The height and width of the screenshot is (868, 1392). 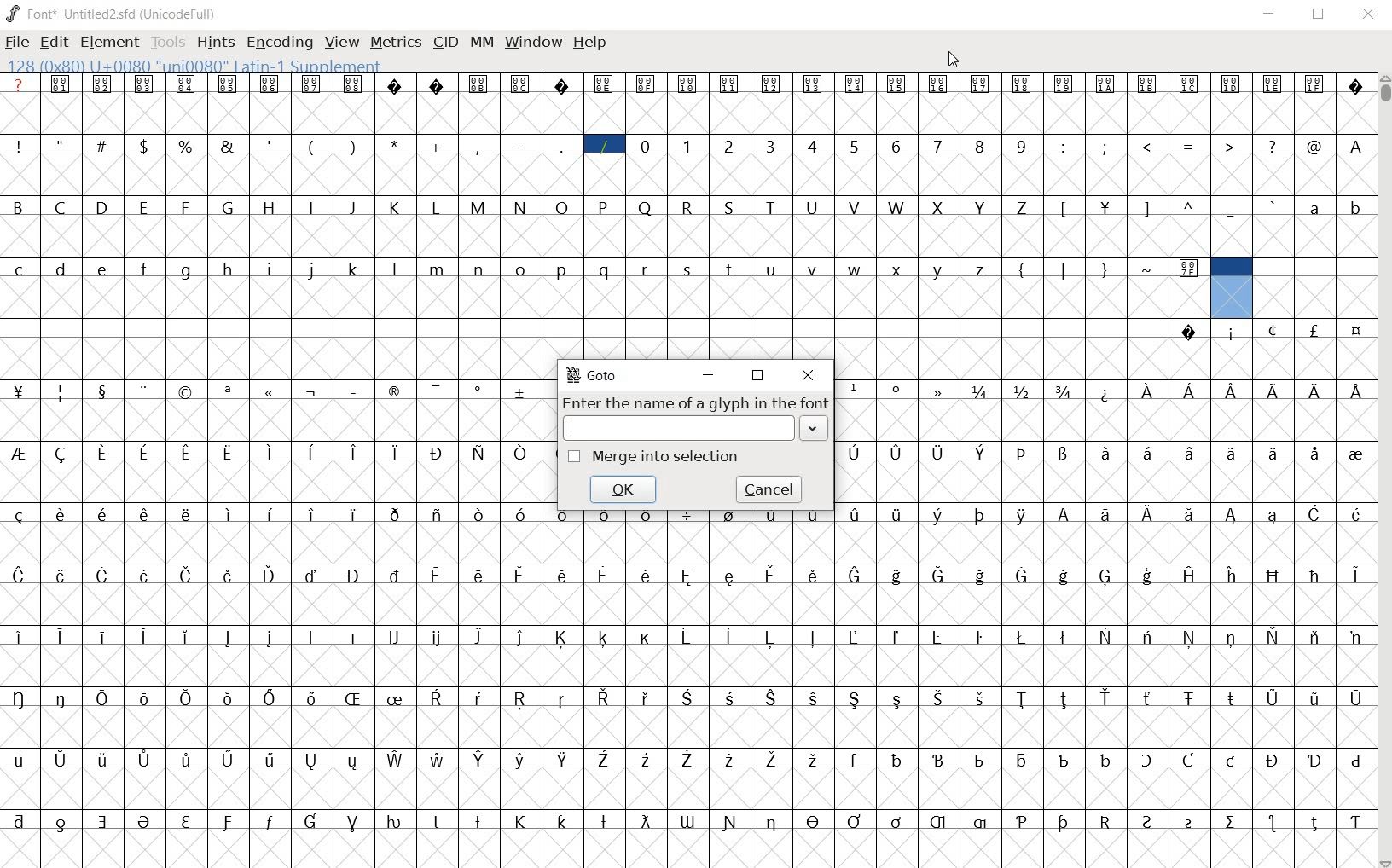 What do you see at coordinates (104, 84) in the screenshot?
I see `Symbol` at bounding box center [104, 84].